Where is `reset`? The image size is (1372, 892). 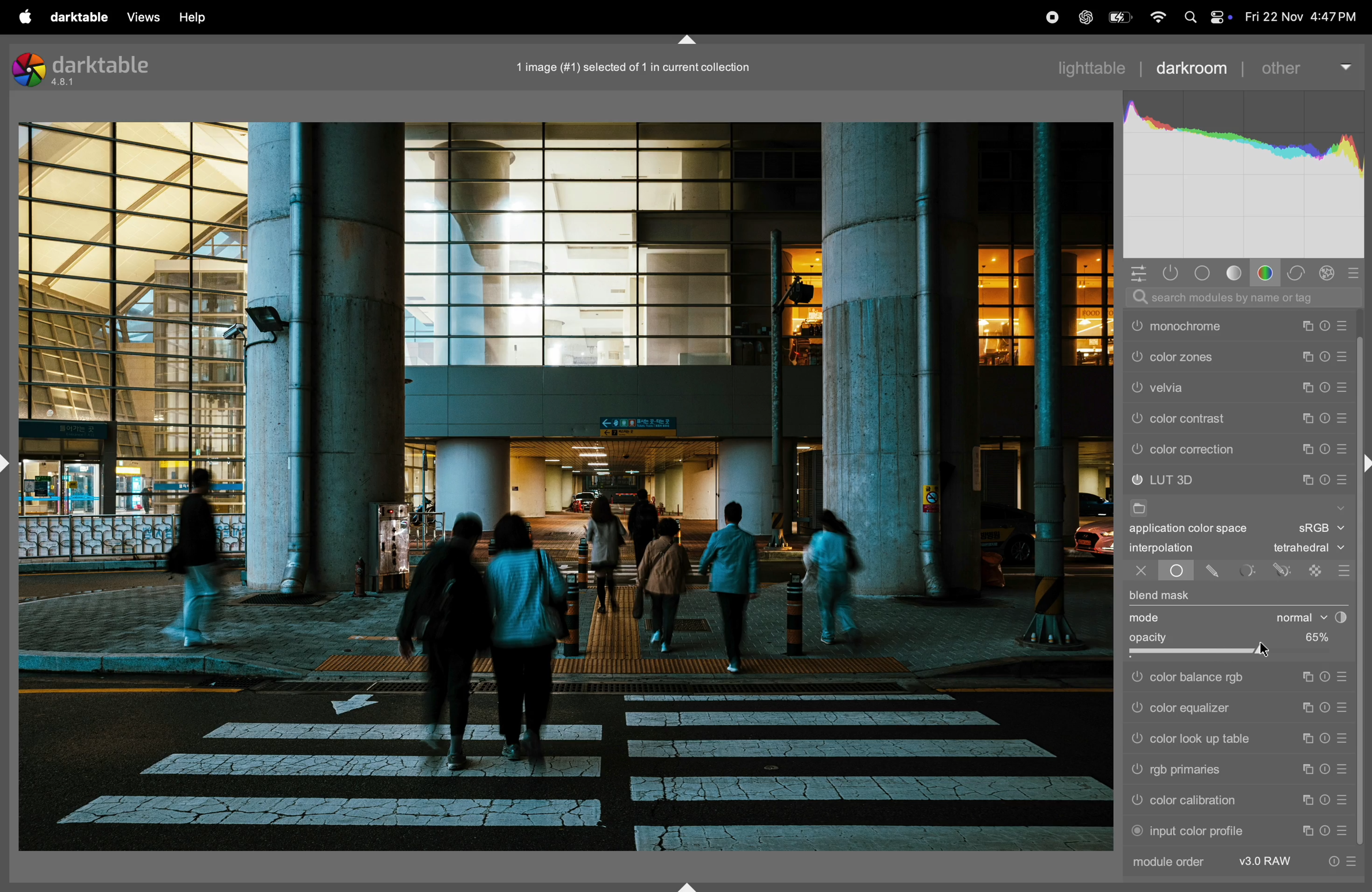 reset is located at coordinates (1328, 802).